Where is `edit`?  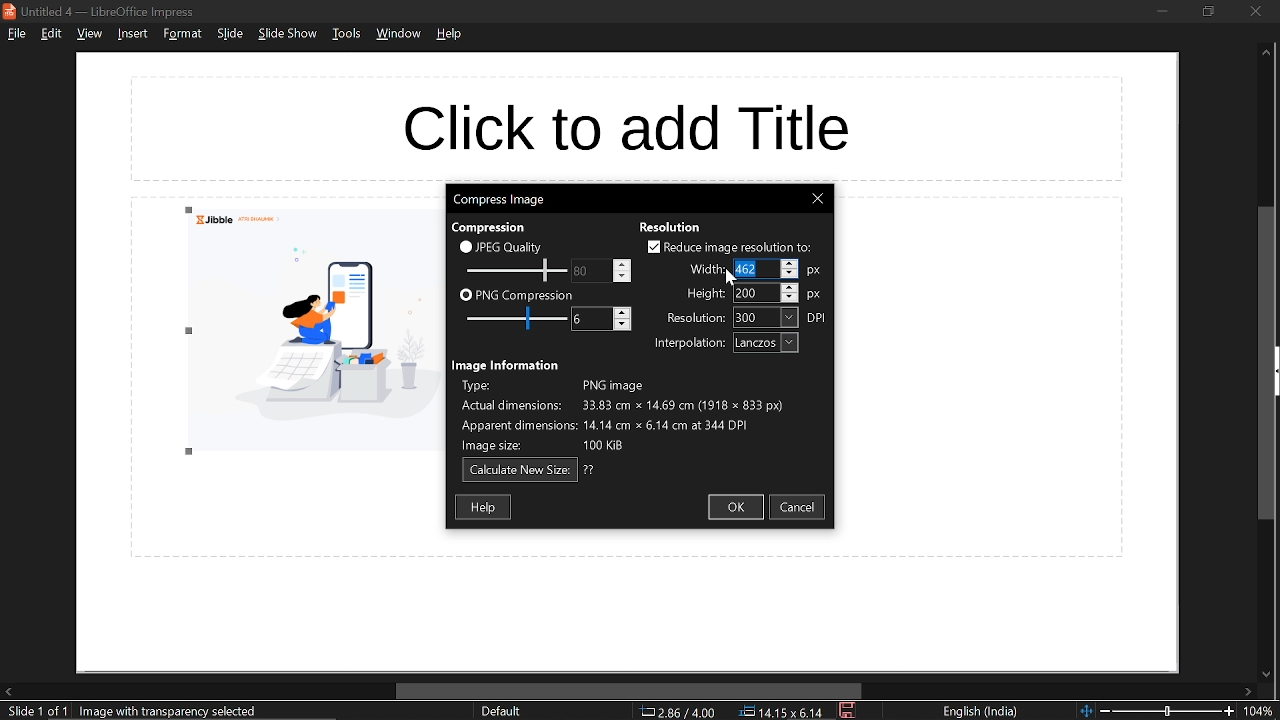
edit is located at coordinates (53, 33).